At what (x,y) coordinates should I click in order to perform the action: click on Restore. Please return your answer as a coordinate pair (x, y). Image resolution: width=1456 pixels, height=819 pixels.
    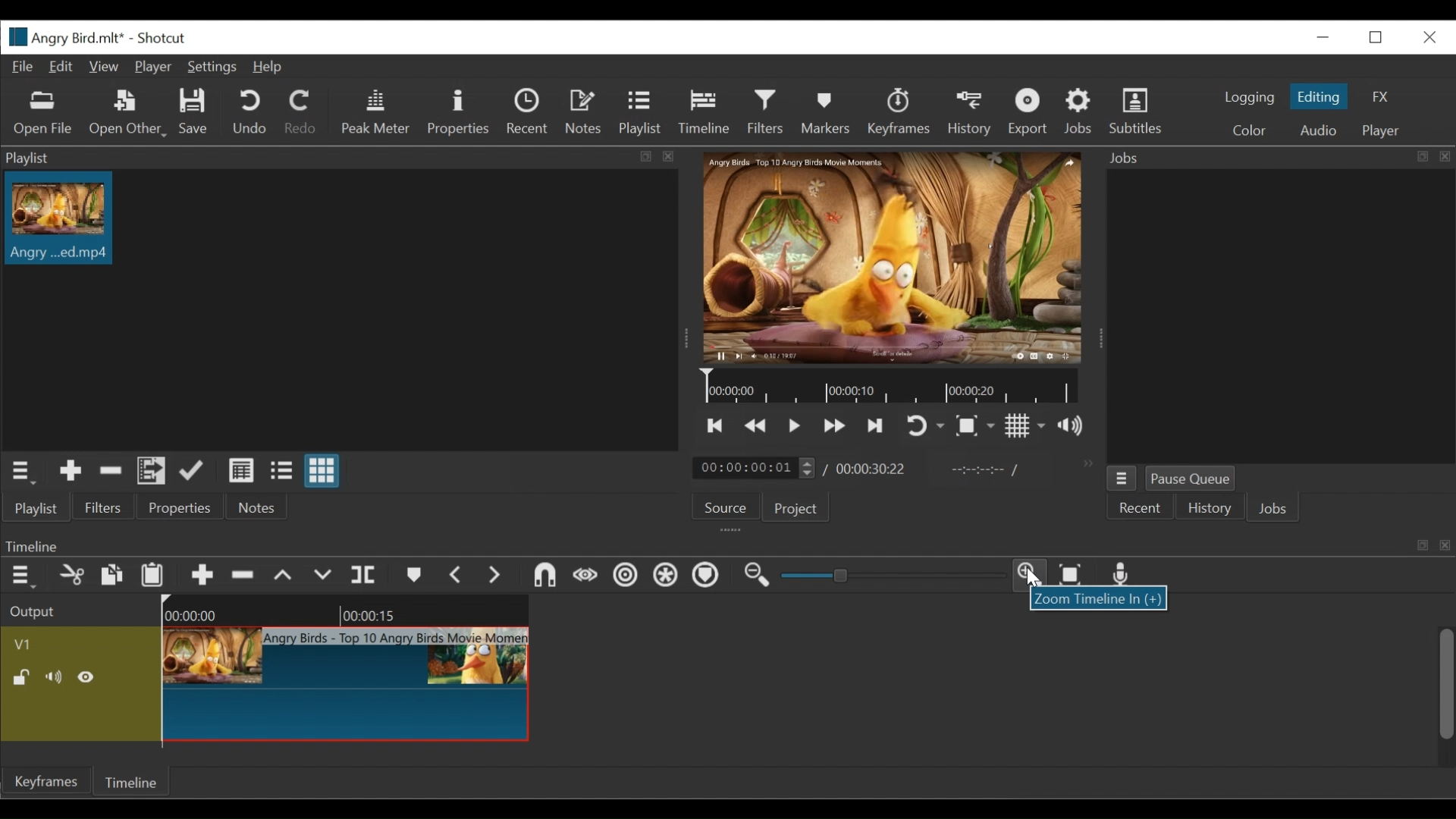
    Looking at the image, I should click on (1378, 36).